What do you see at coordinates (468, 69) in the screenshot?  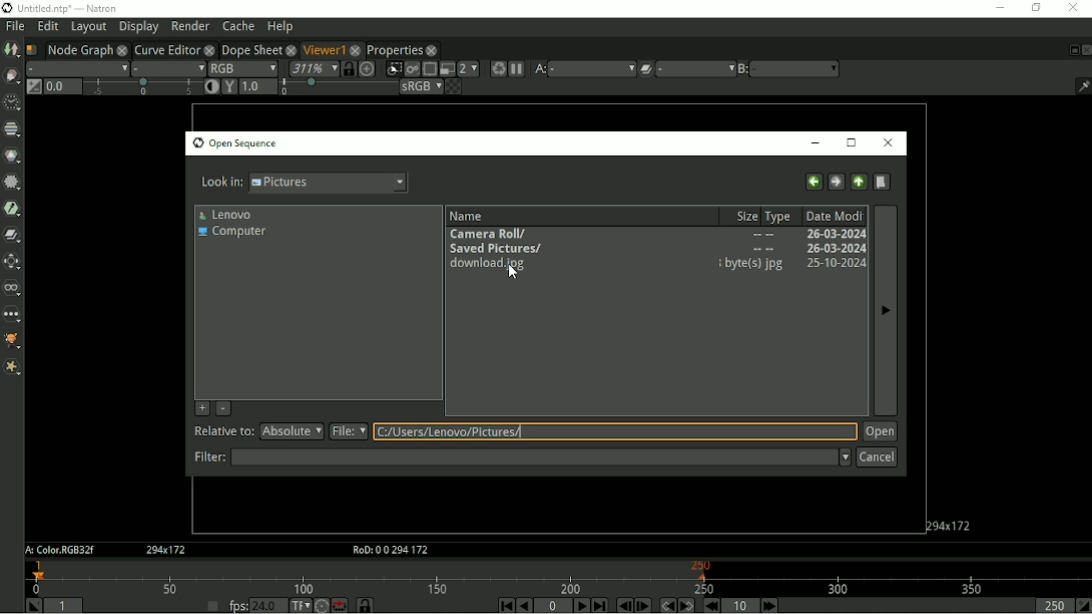 I see `Scales down rendered image` at bounding box center [468, 69].